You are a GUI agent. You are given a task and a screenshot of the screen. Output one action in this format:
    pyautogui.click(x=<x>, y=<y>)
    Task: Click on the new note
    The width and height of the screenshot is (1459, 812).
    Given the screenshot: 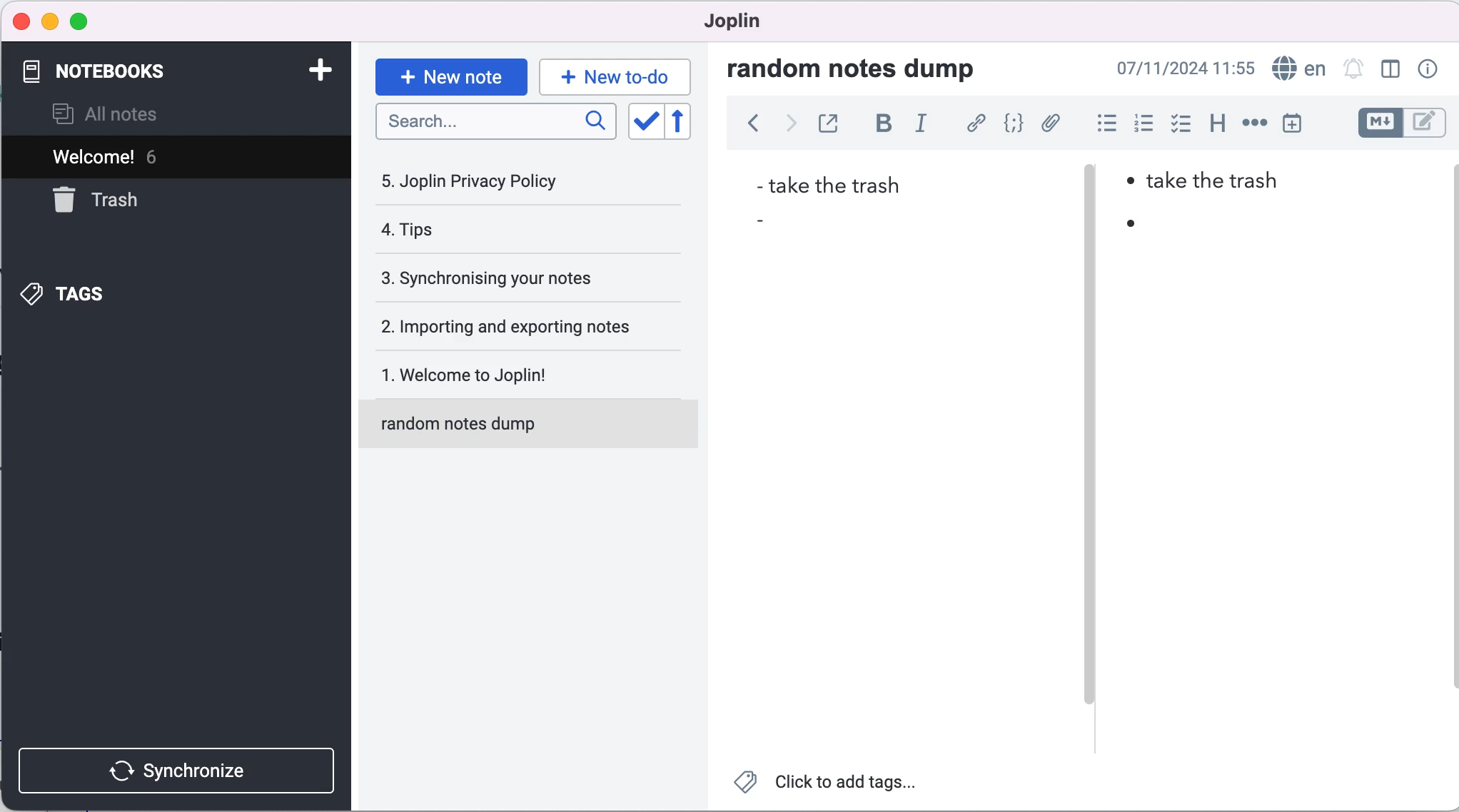 What is the action you would take?
    pyautogui.click(x=450, y=75)
    